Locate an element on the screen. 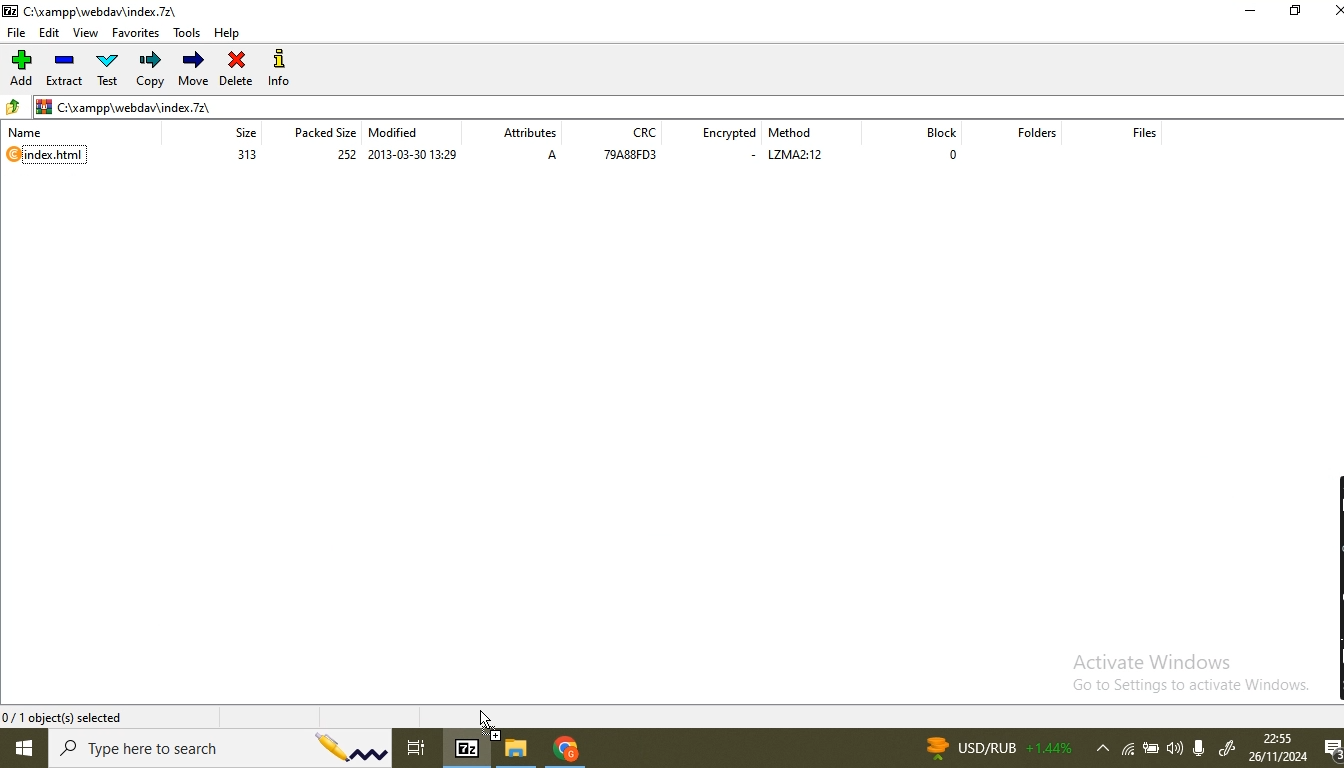 The width and height of the screenshot is (1344, 768). block is located at coordinates (927, 132).